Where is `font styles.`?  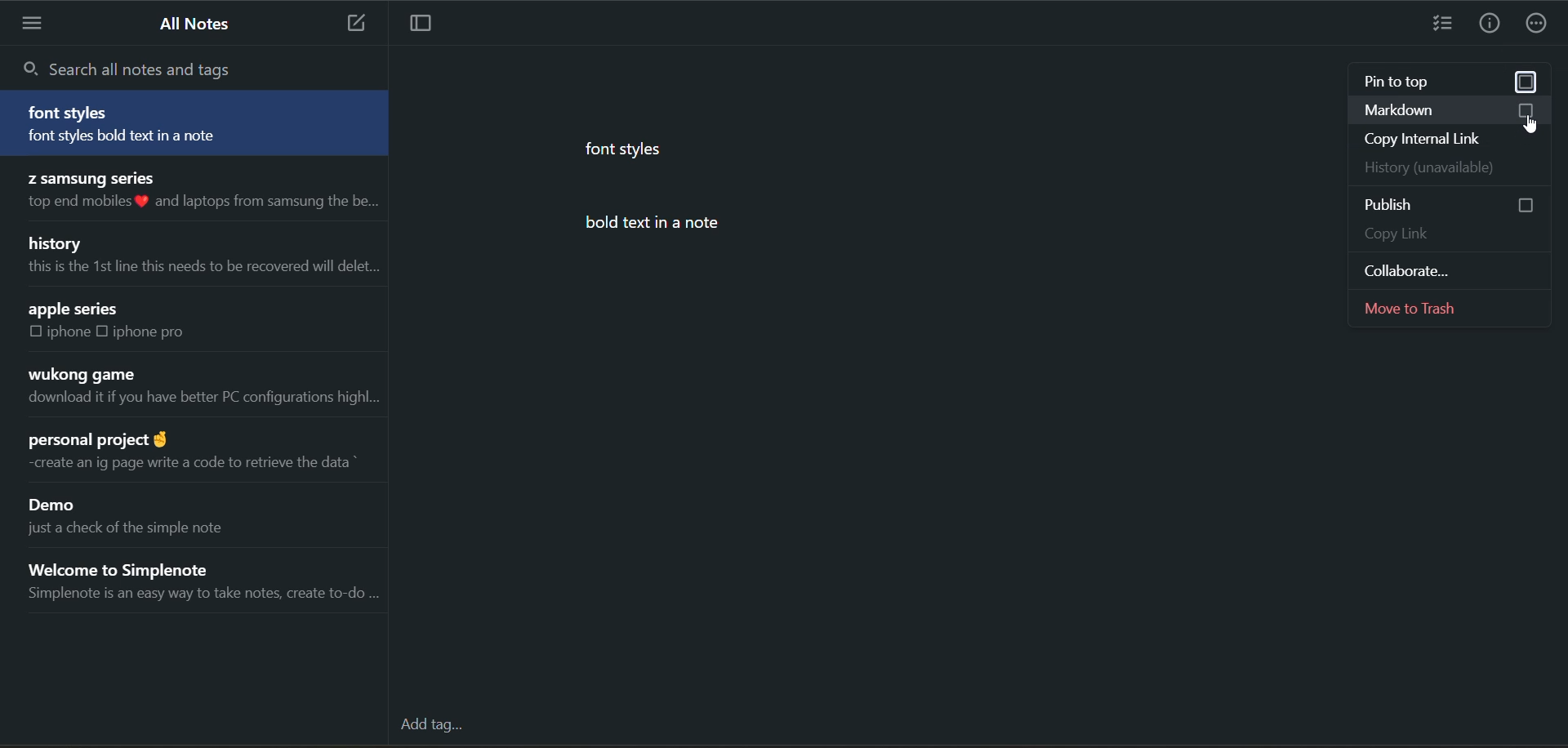 font styles. is located at coordinates (628, 148).